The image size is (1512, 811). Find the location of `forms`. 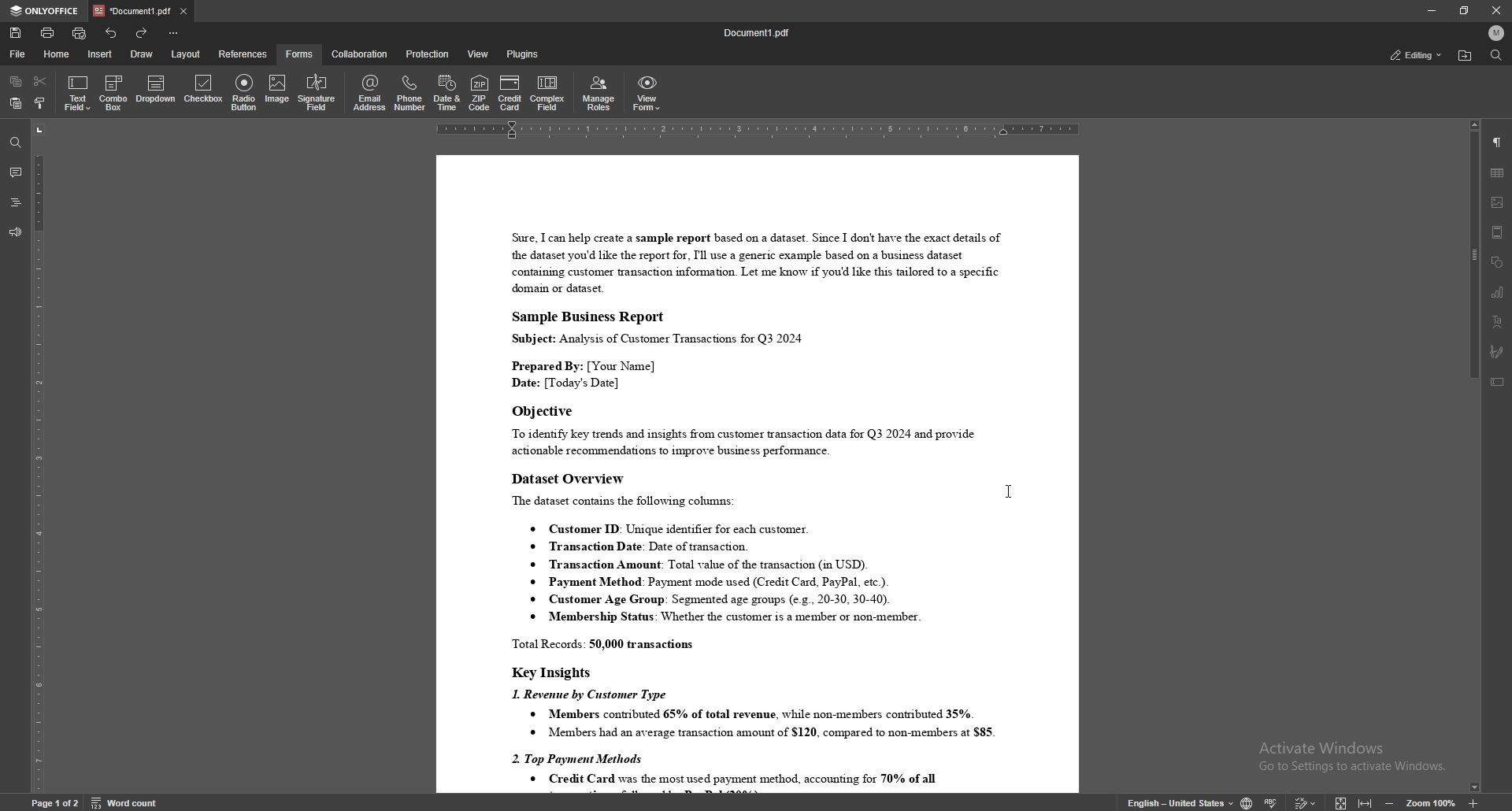

forms is located at coordinates (301, 54).